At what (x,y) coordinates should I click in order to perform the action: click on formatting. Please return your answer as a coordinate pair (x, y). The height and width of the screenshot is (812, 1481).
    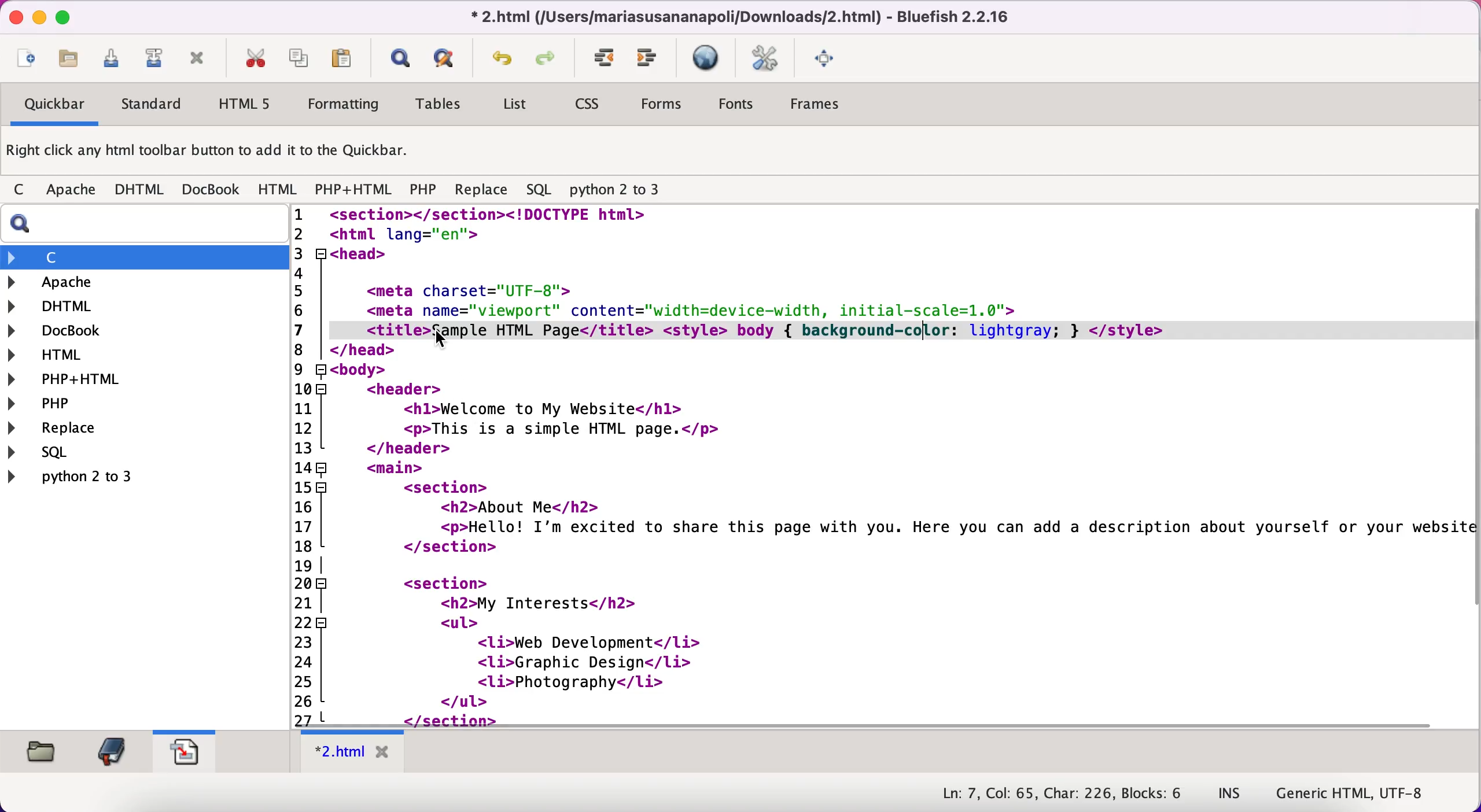
    Looking at the image, I should click on (344, 106).